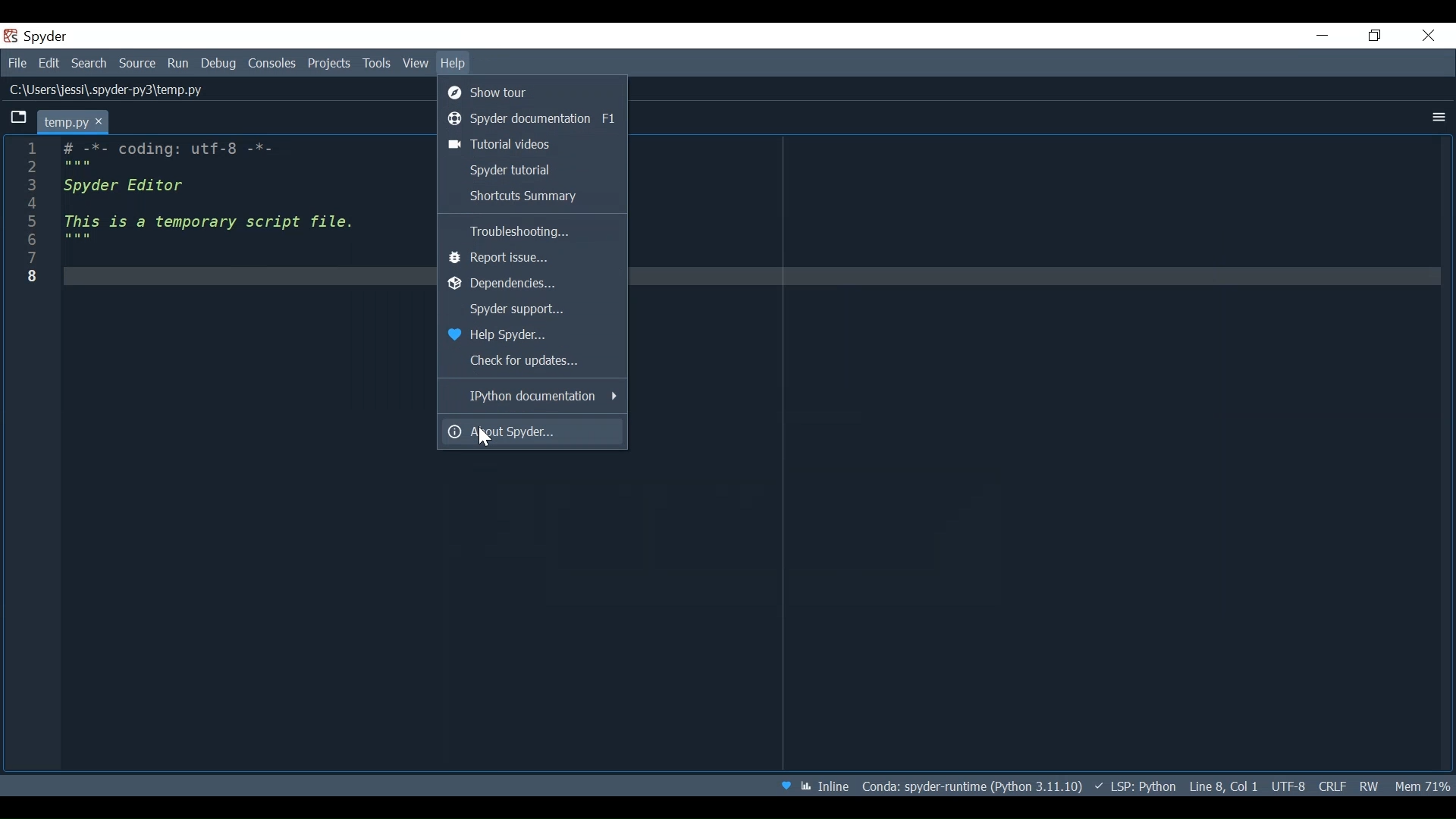 The height and width of the screenshot is (819, 1456). What do you see at coordinates (535, 199) in the screenshot?
I see `Shortcut Summary` at bounding box center [535, 199].